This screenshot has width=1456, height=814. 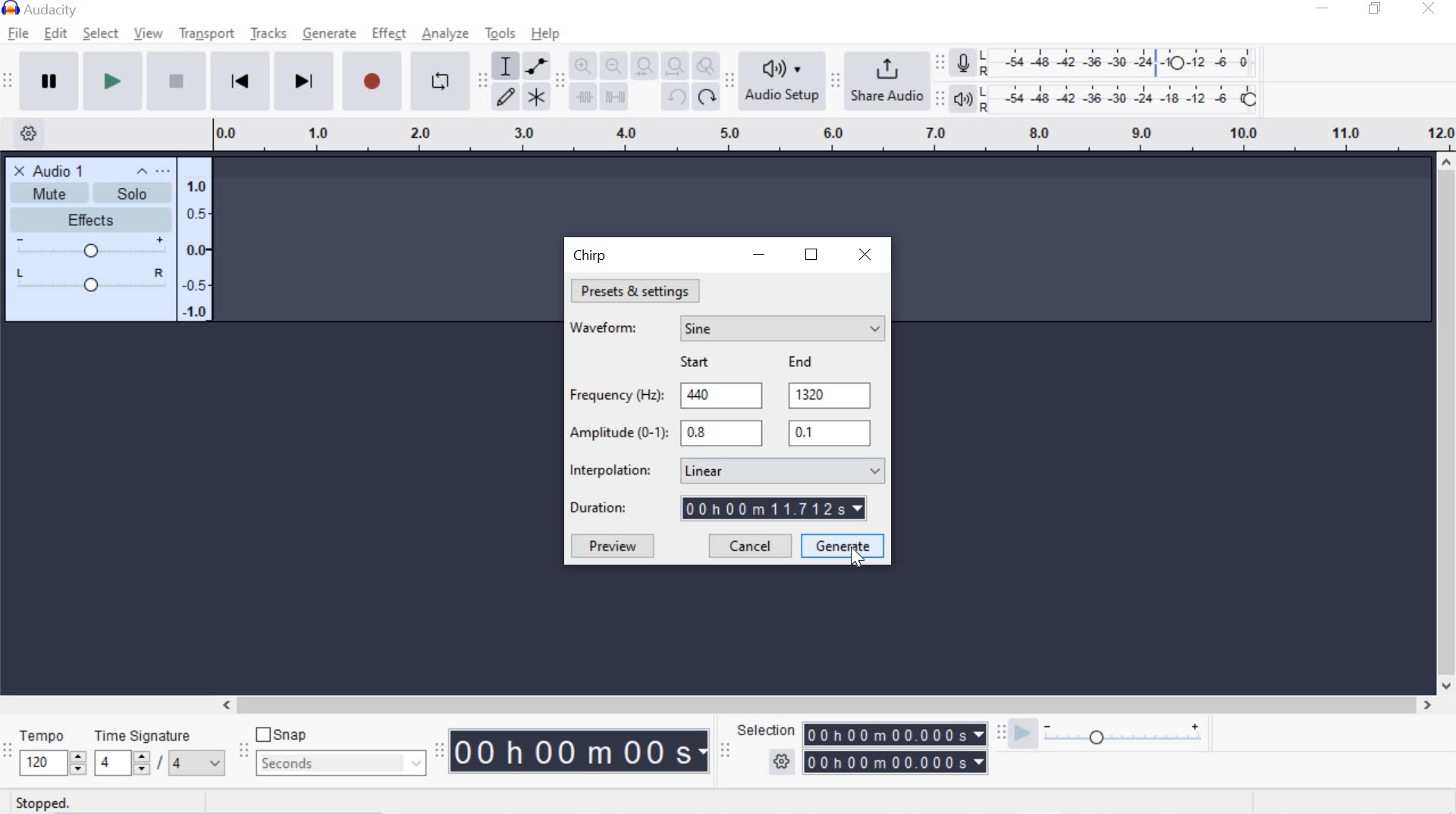 What do you see at coordinates (90, 278) in the screenshot?
I see `pan` at bounding box center [90, 278].